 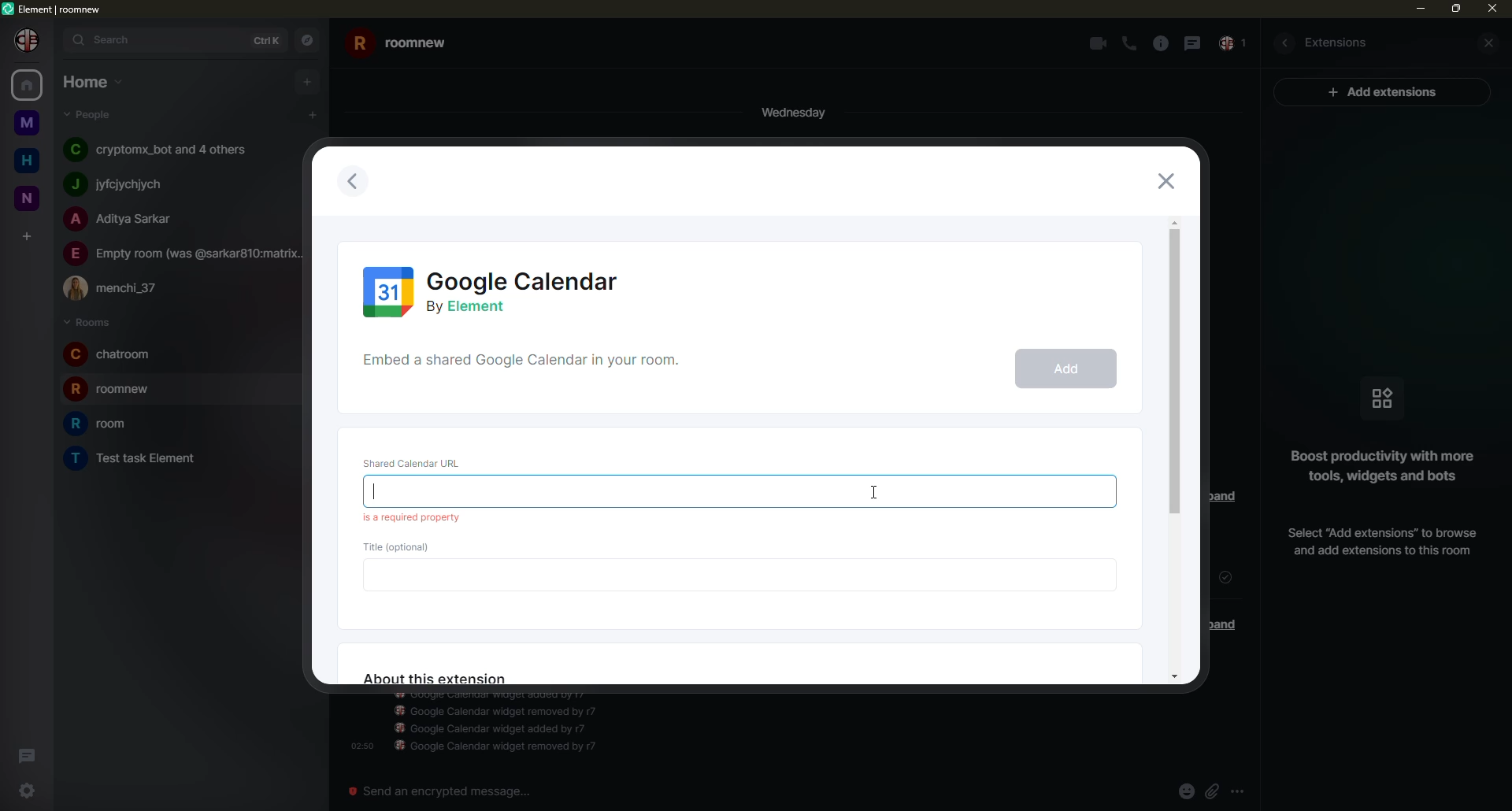 I want to click on home, so click(x=91, y=81).